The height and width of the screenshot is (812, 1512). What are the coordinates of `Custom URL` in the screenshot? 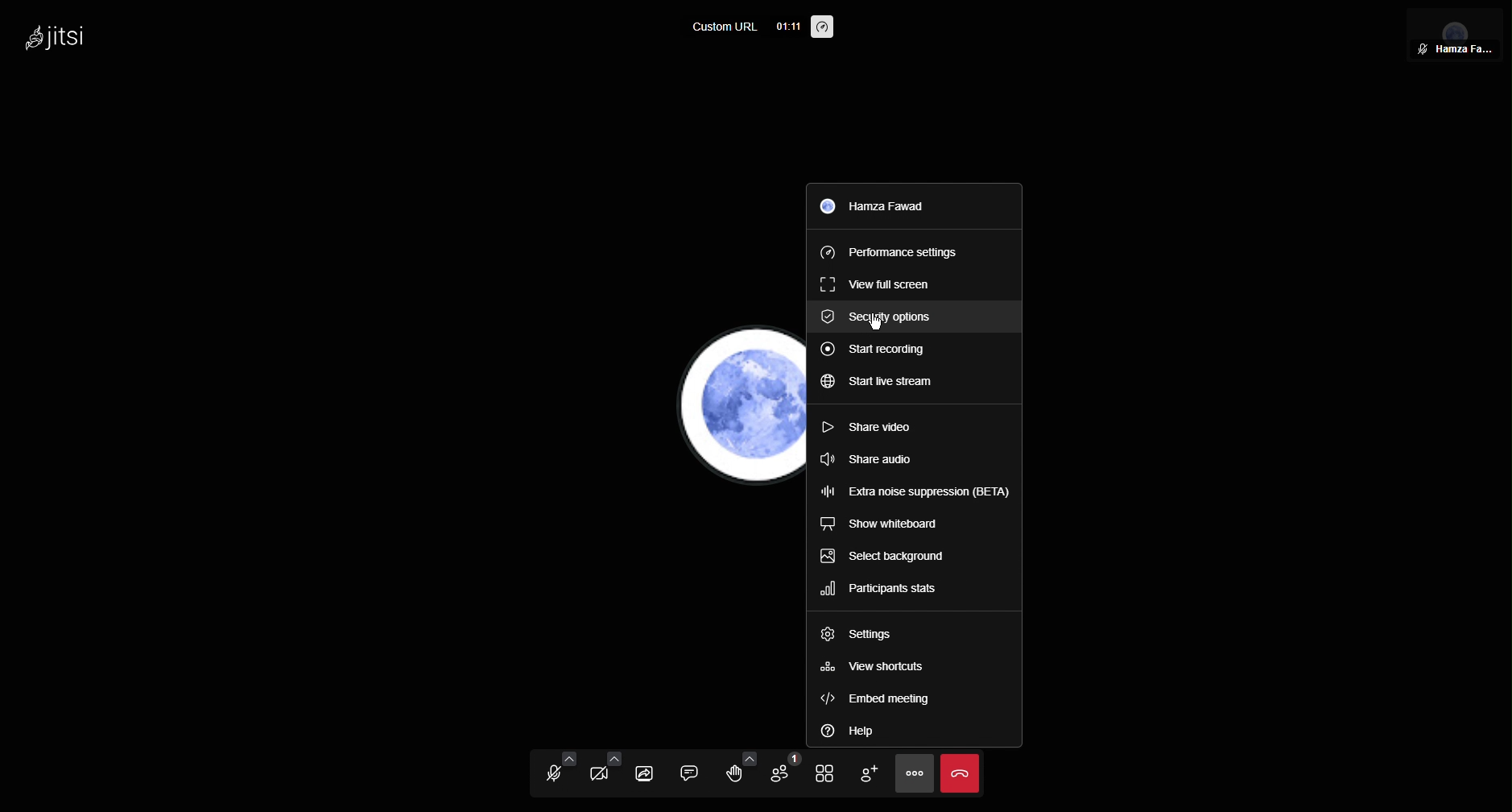 It's located at (725, 28).